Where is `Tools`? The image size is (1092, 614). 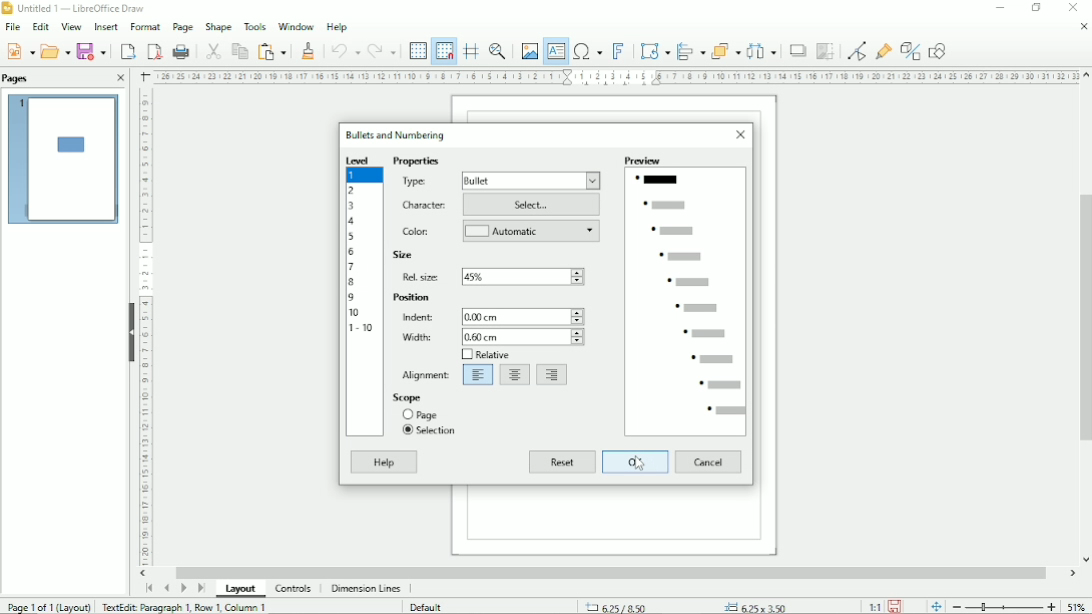 Tools is located at coordinates (254, 26).